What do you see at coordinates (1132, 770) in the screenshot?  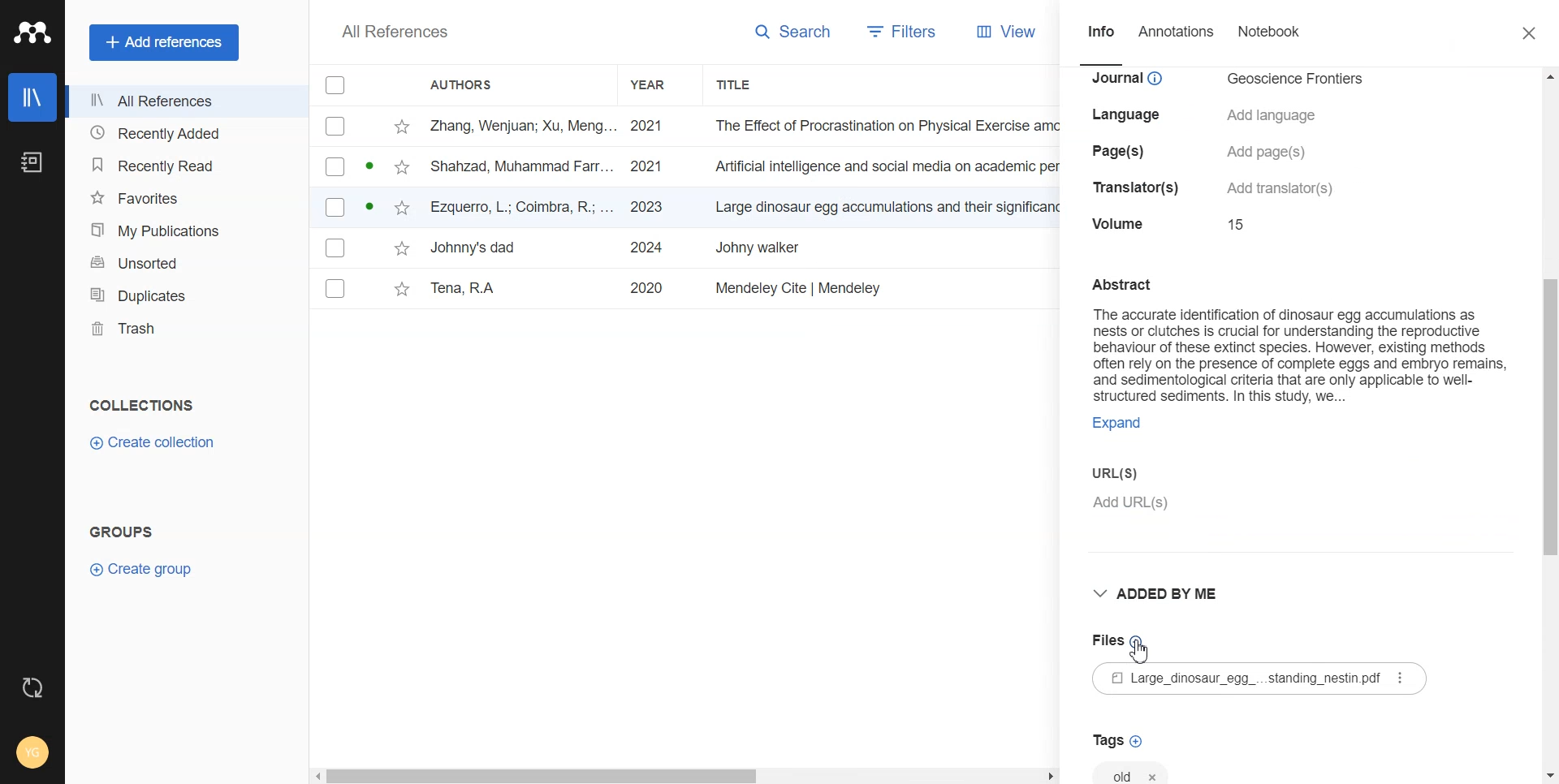 I see `Tag` at bounding box center [1132, 770].